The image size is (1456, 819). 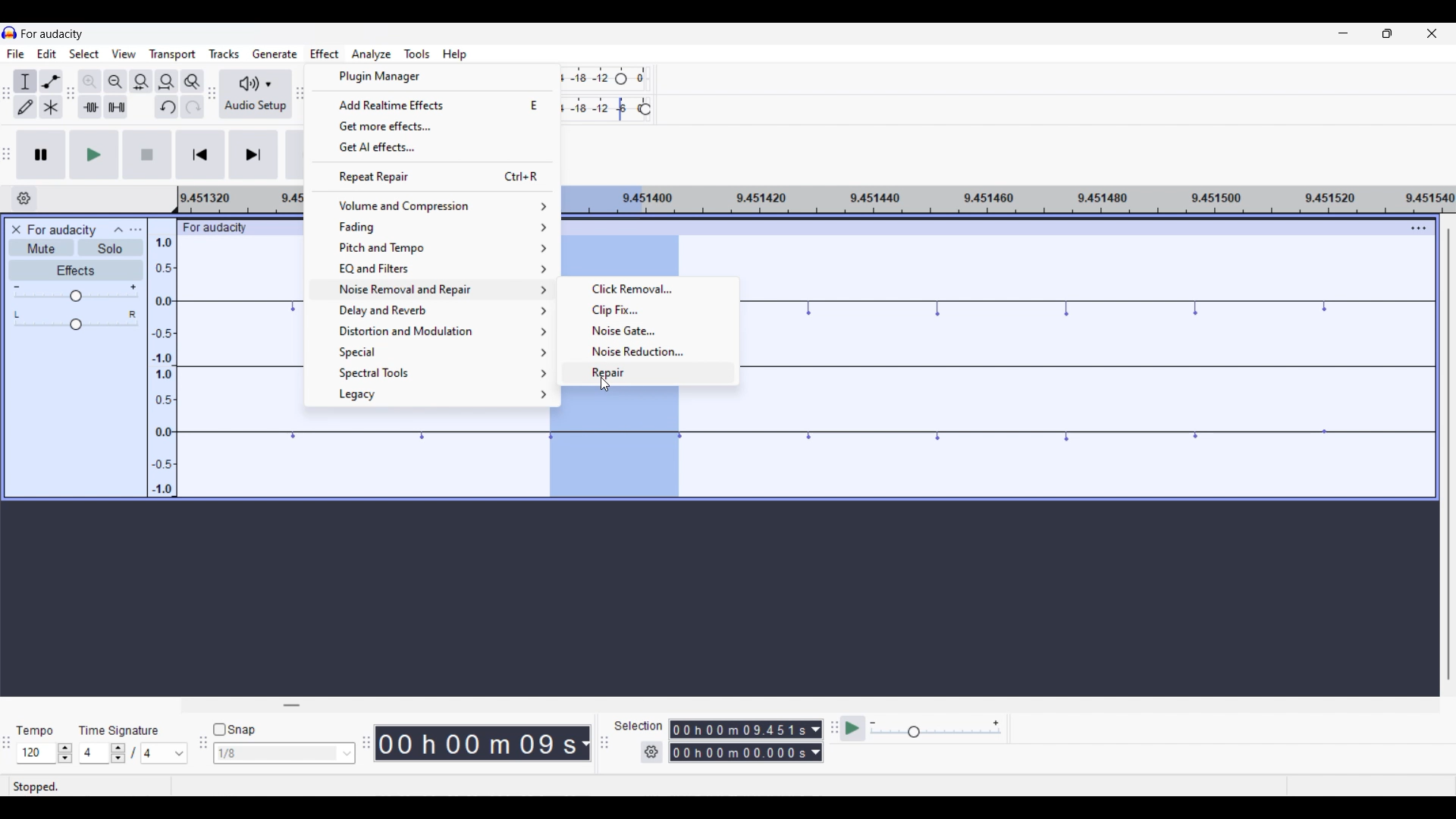 I want to click on Draw tool, so click(x=26, y=107).